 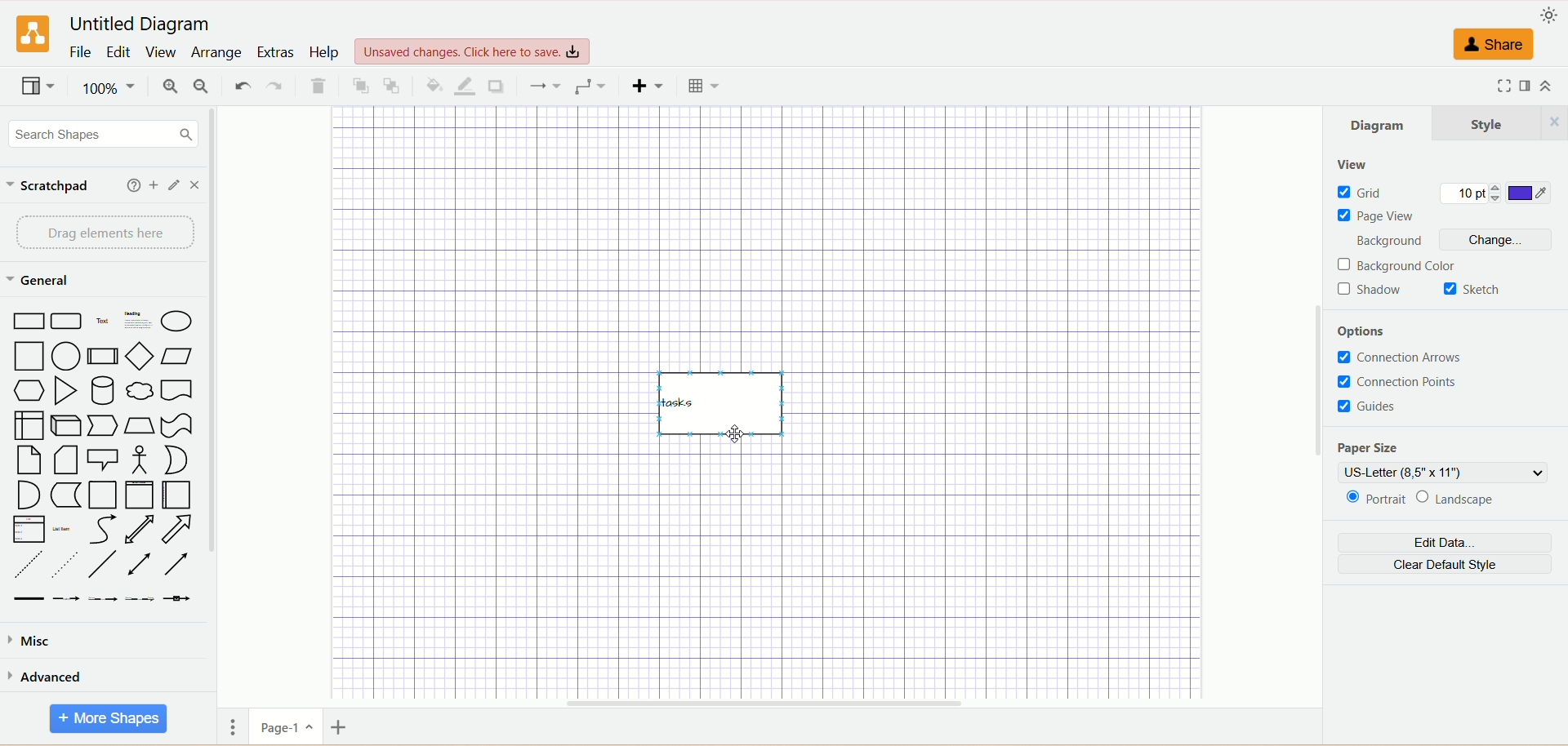 I want to click on Curved Arrow, so click(x=102, y=531).